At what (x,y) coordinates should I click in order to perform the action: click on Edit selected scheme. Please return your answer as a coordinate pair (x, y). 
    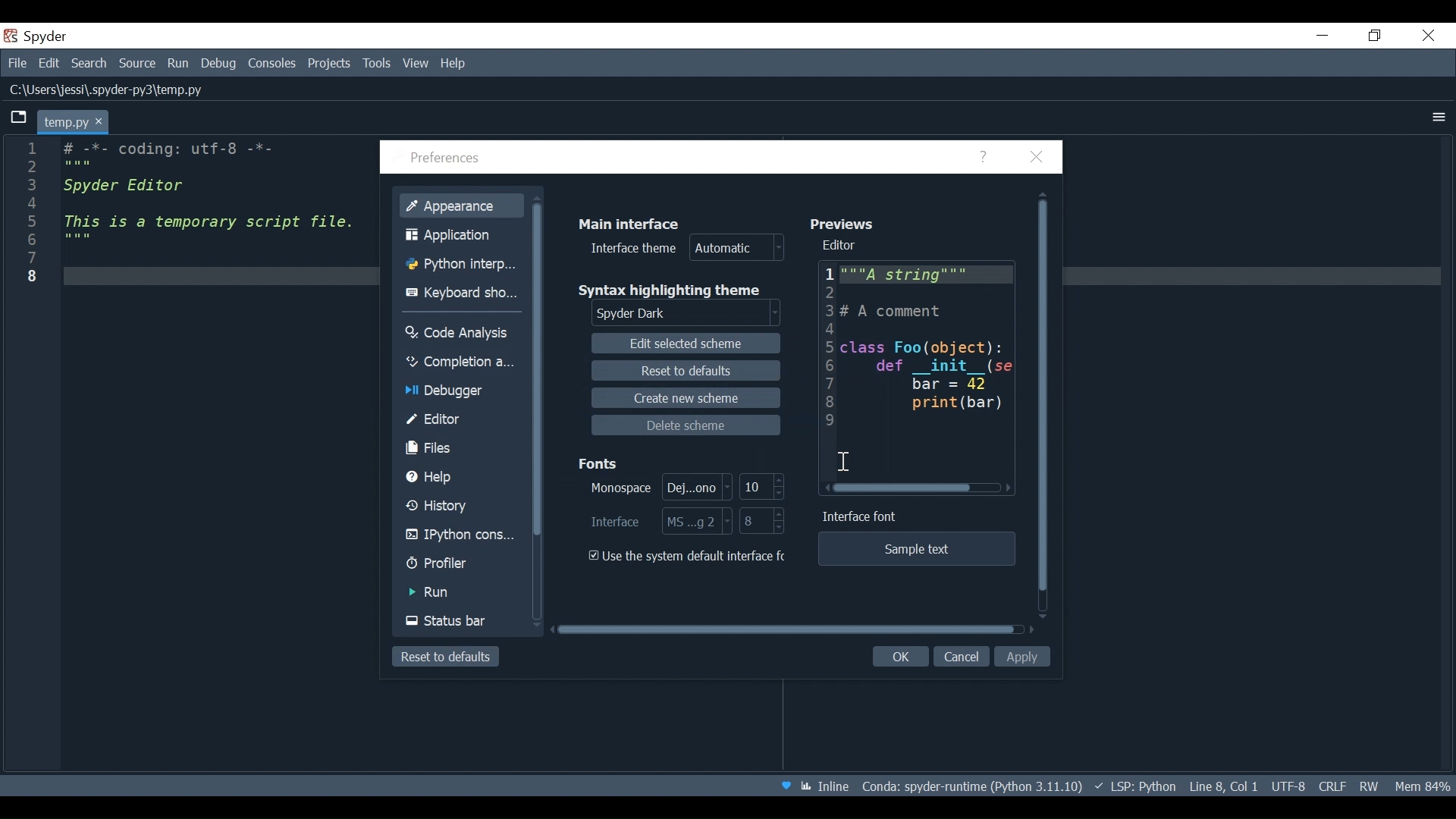
    Looking at the image, I should click on (689, 344).